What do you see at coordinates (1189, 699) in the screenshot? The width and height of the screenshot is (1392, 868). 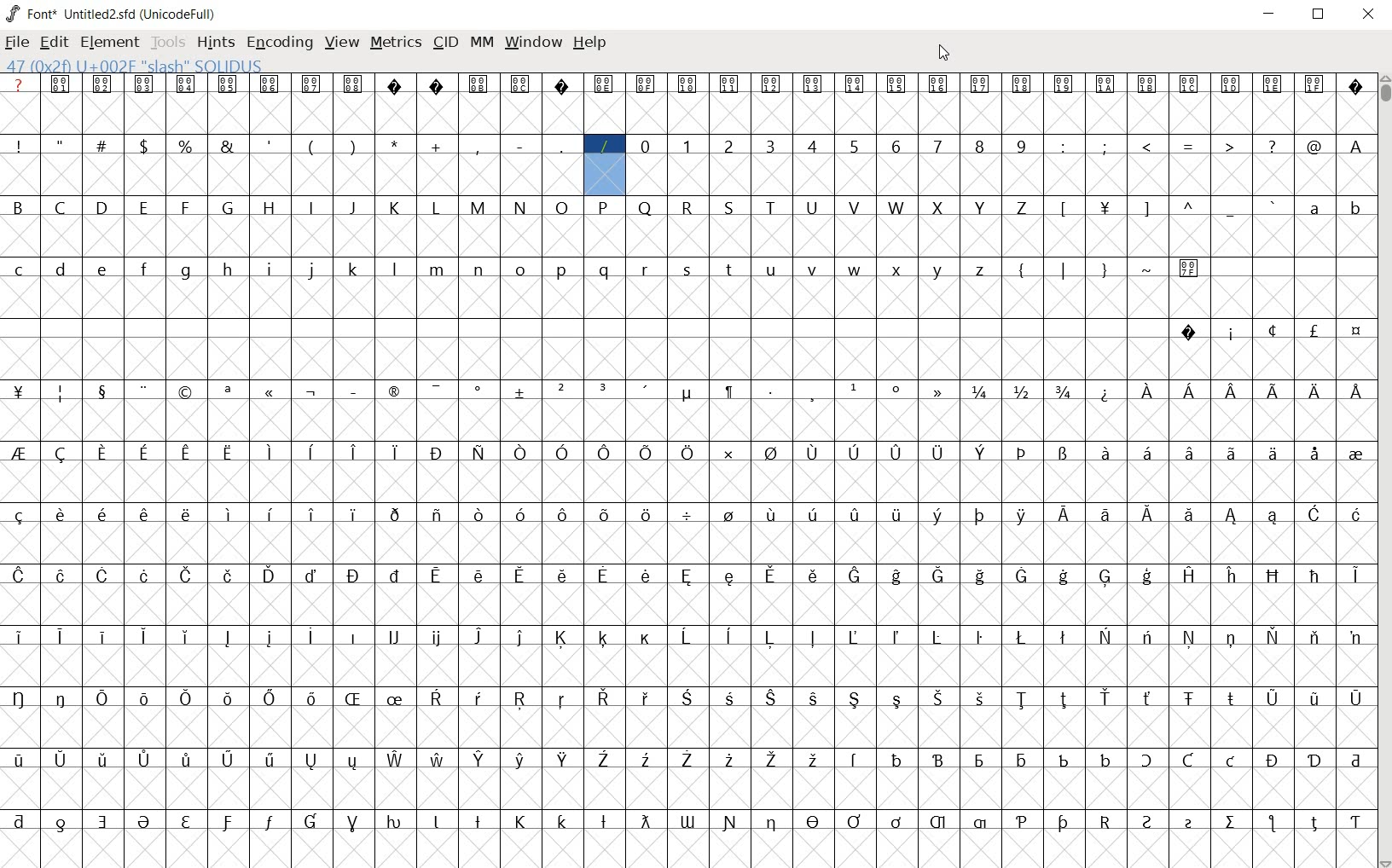 I see `glyph` at bounding box center [1189, 699].